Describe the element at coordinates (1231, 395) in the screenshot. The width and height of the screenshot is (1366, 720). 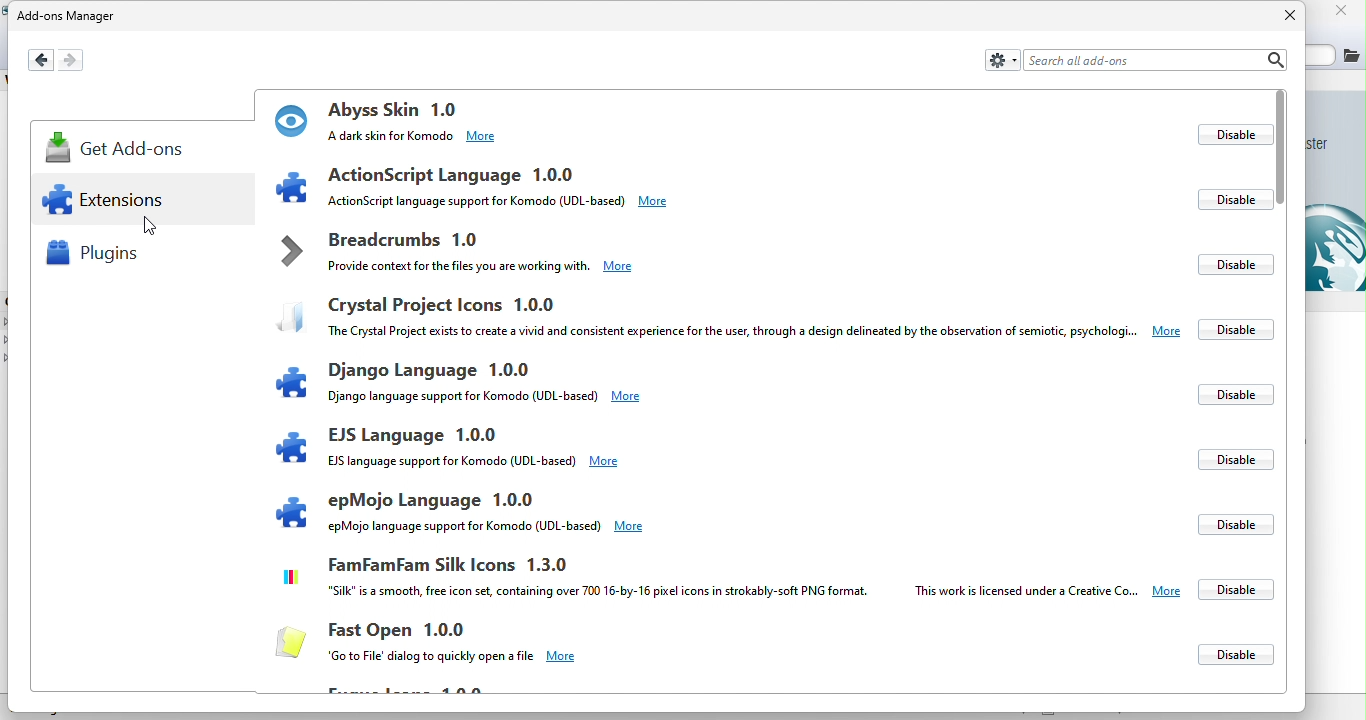
I see `disable` at that location.